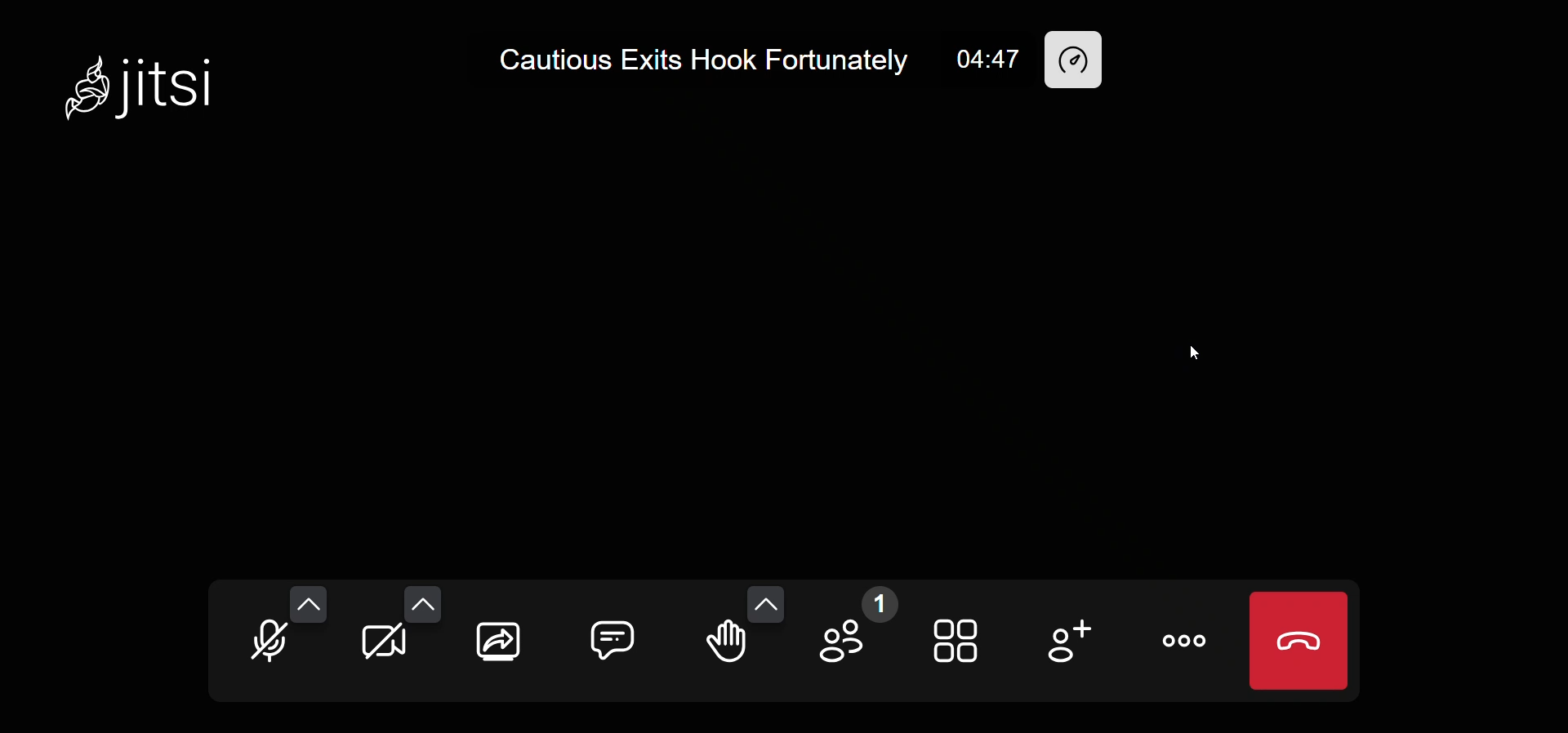 This screenshot has height=733, width=1568. What do you see at coordinates (725, 647) in the screenshot?
I see `raise hand` at bounding box center [725, 647].